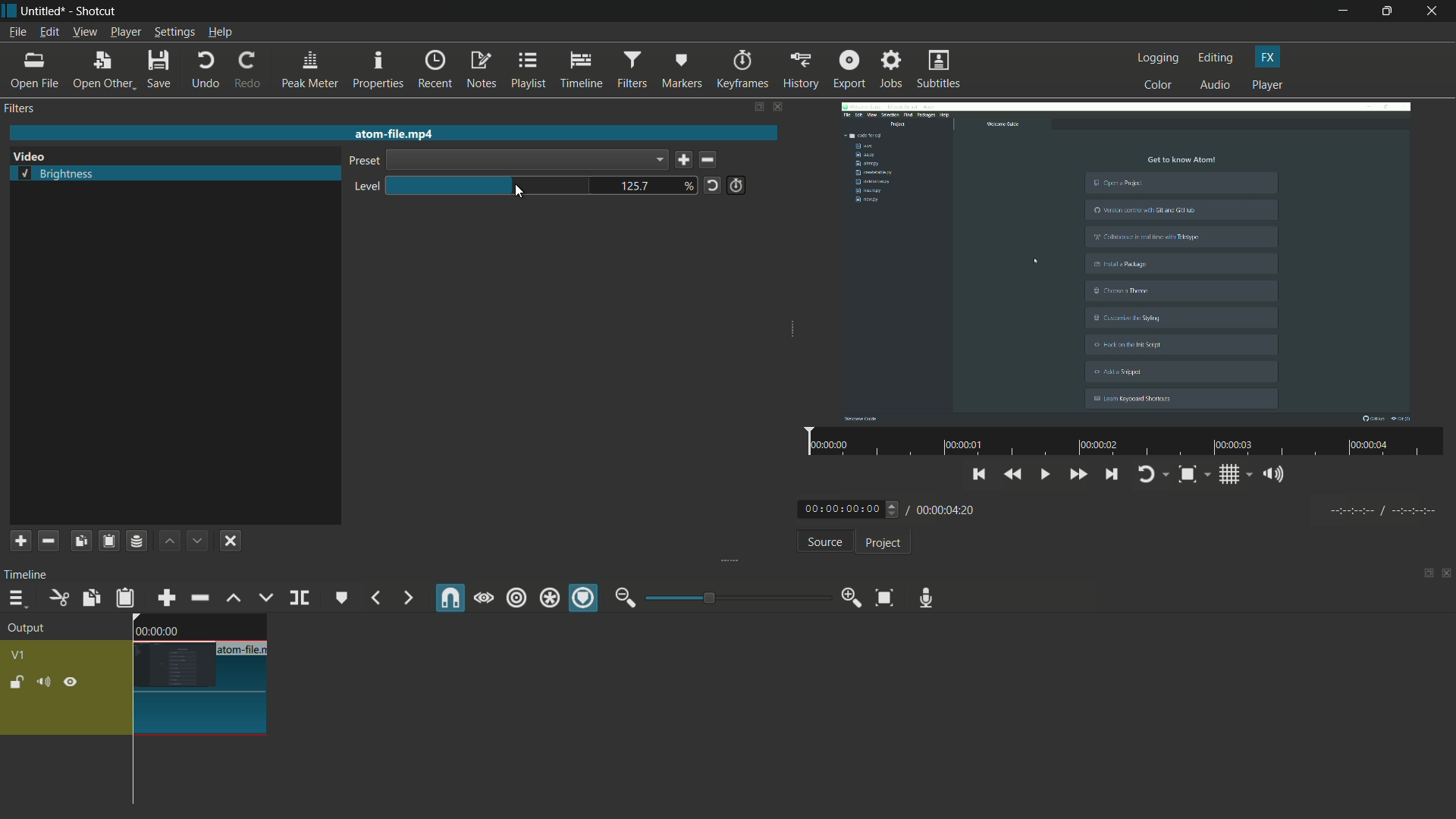 The height and width of the screenshot is (819, 1456). I want to click on remove selected filter, so click(49, 541).